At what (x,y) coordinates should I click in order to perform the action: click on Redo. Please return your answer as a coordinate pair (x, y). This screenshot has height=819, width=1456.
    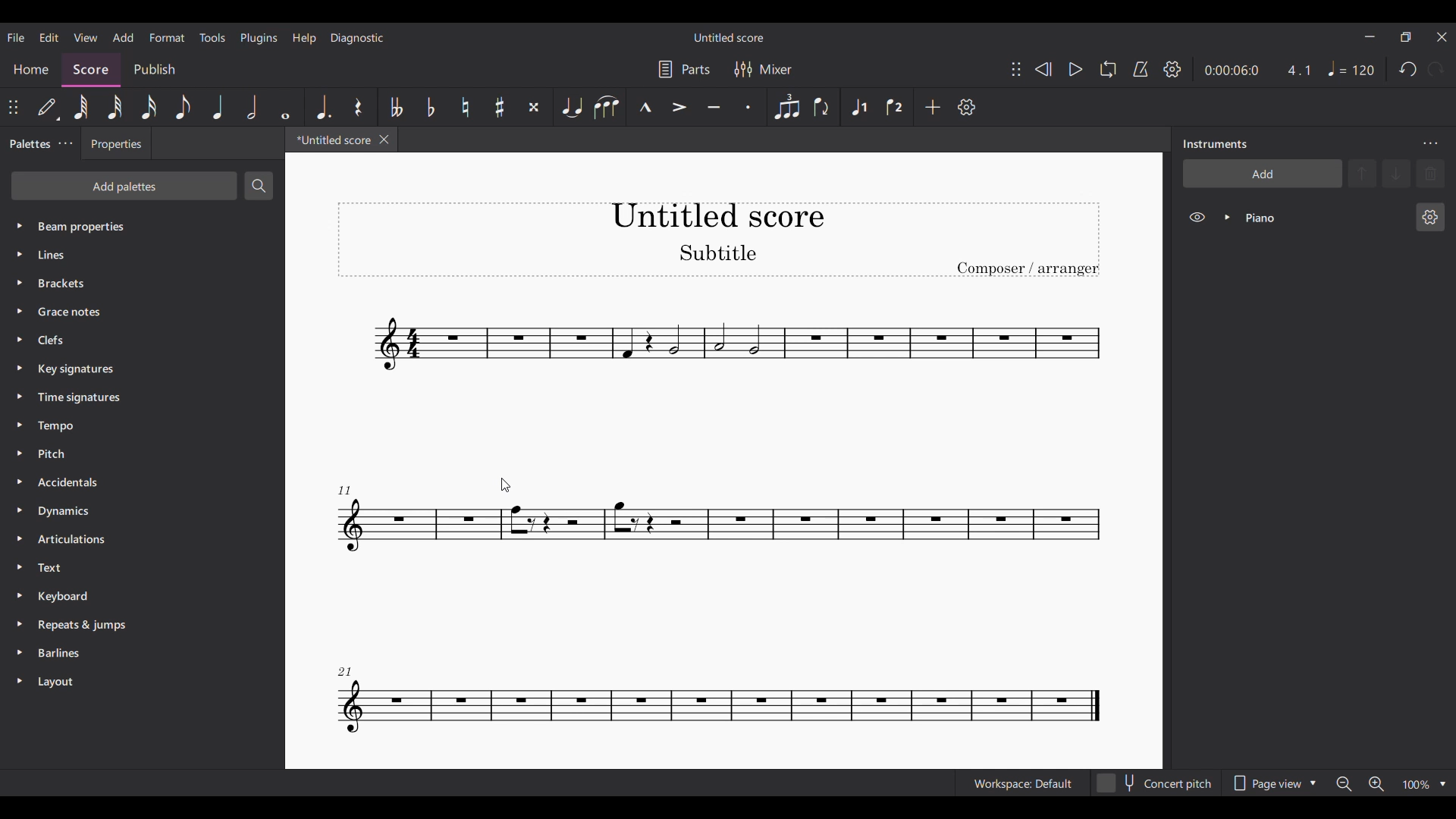
    Looking at the image, I should click on (1436, 69).